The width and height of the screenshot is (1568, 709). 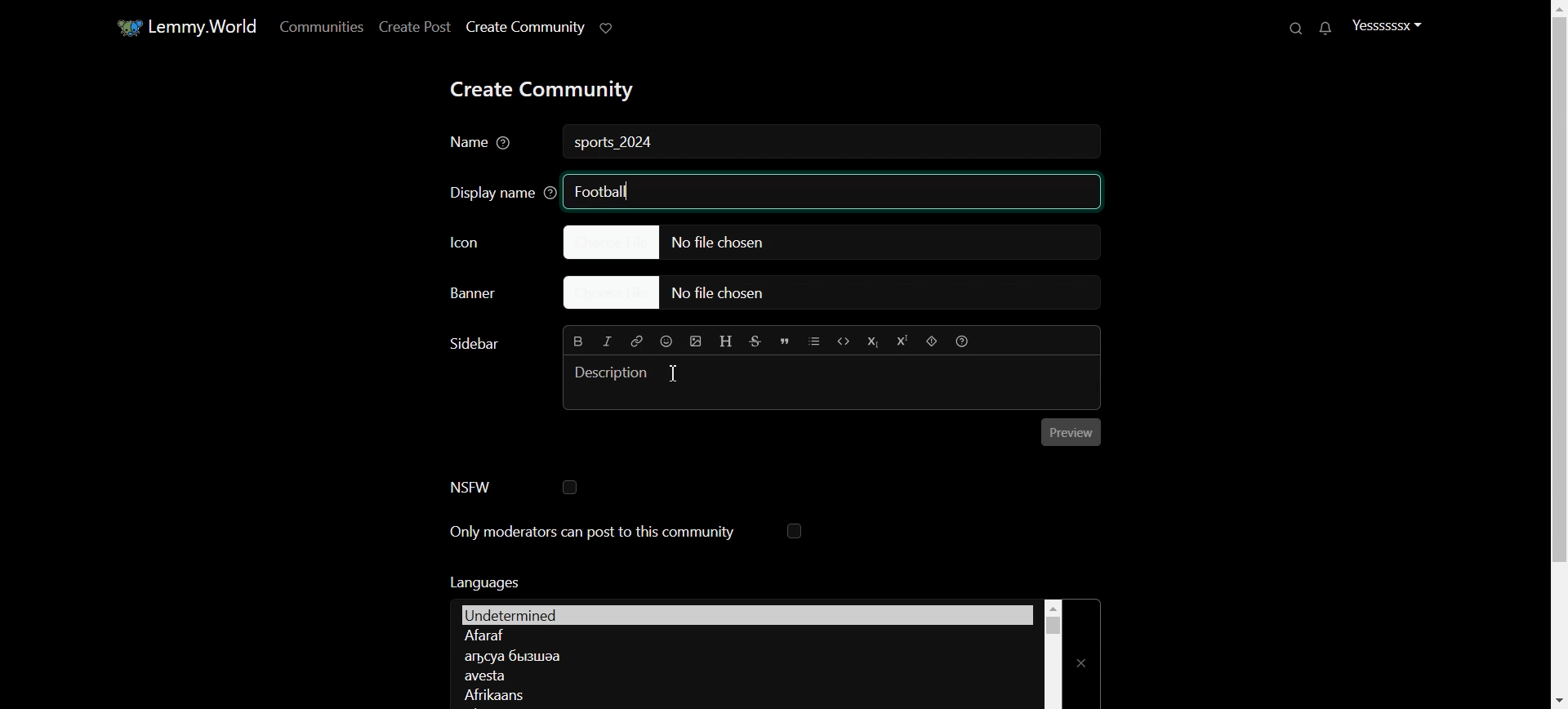 What do you see at coordinates (742, 655) in the screenshot?
I see `Language` at bounding box center [742, 655].